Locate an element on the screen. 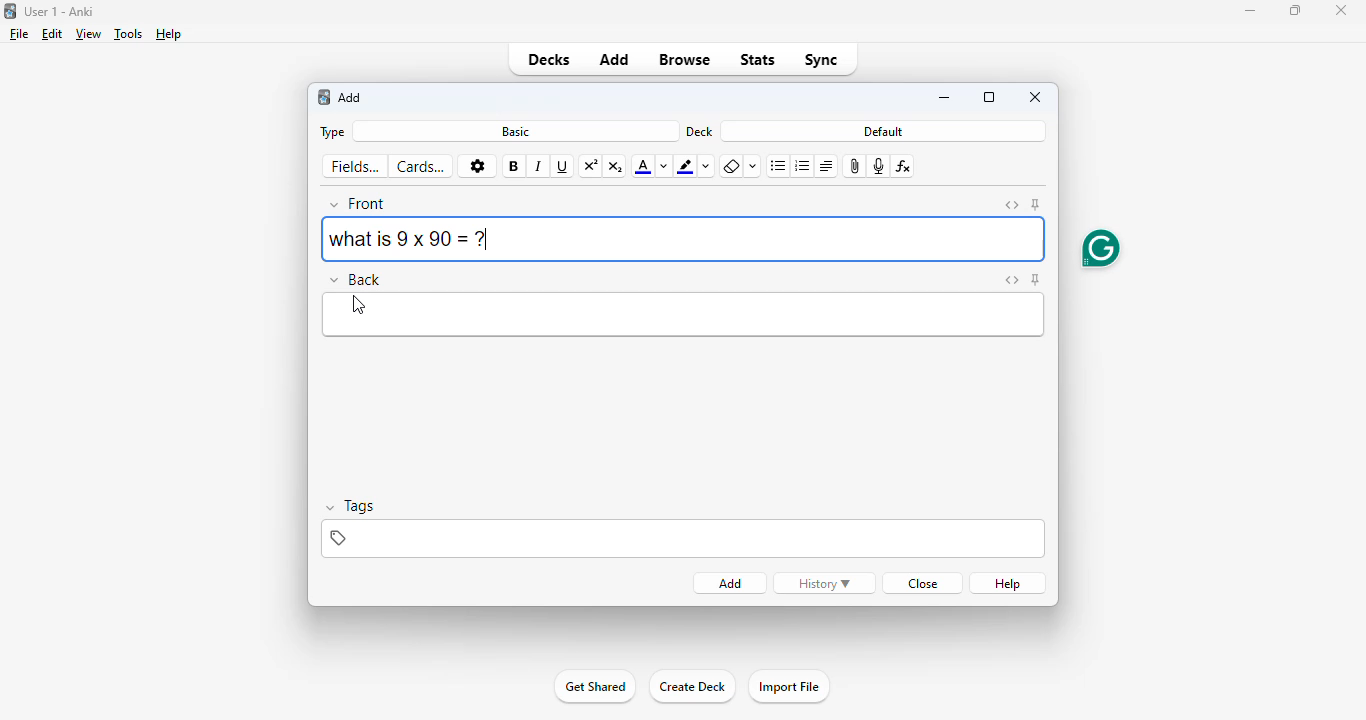  toggle HTML editor is located at coordinates (1012, 205).